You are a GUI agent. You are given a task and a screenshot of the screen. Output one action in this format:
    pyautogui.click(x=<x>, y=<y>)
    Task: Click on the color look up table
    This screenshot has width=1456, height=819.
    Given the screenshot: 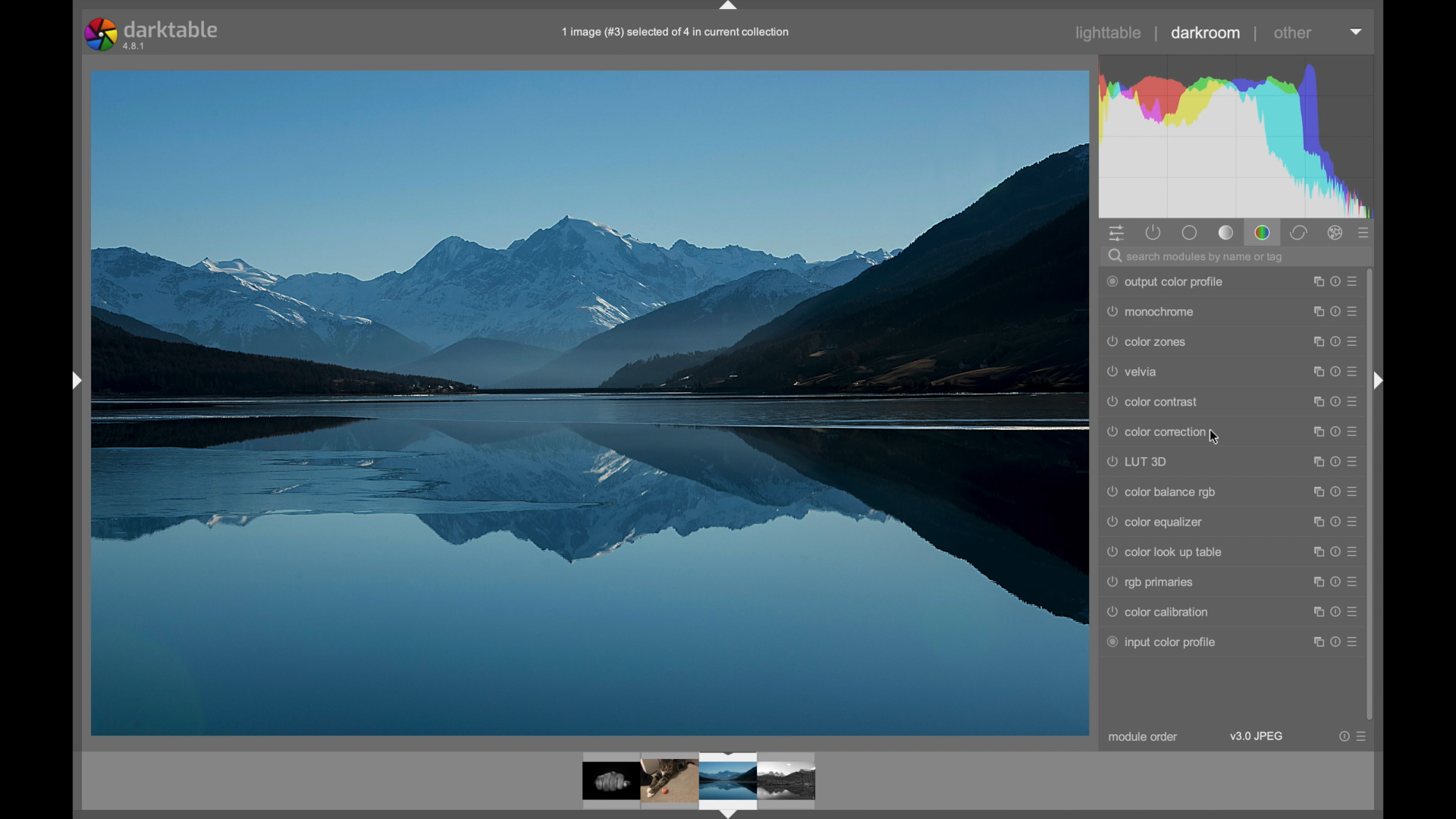 What is the action you would take?
    pyautogui.click(x=1165, y=552)
    